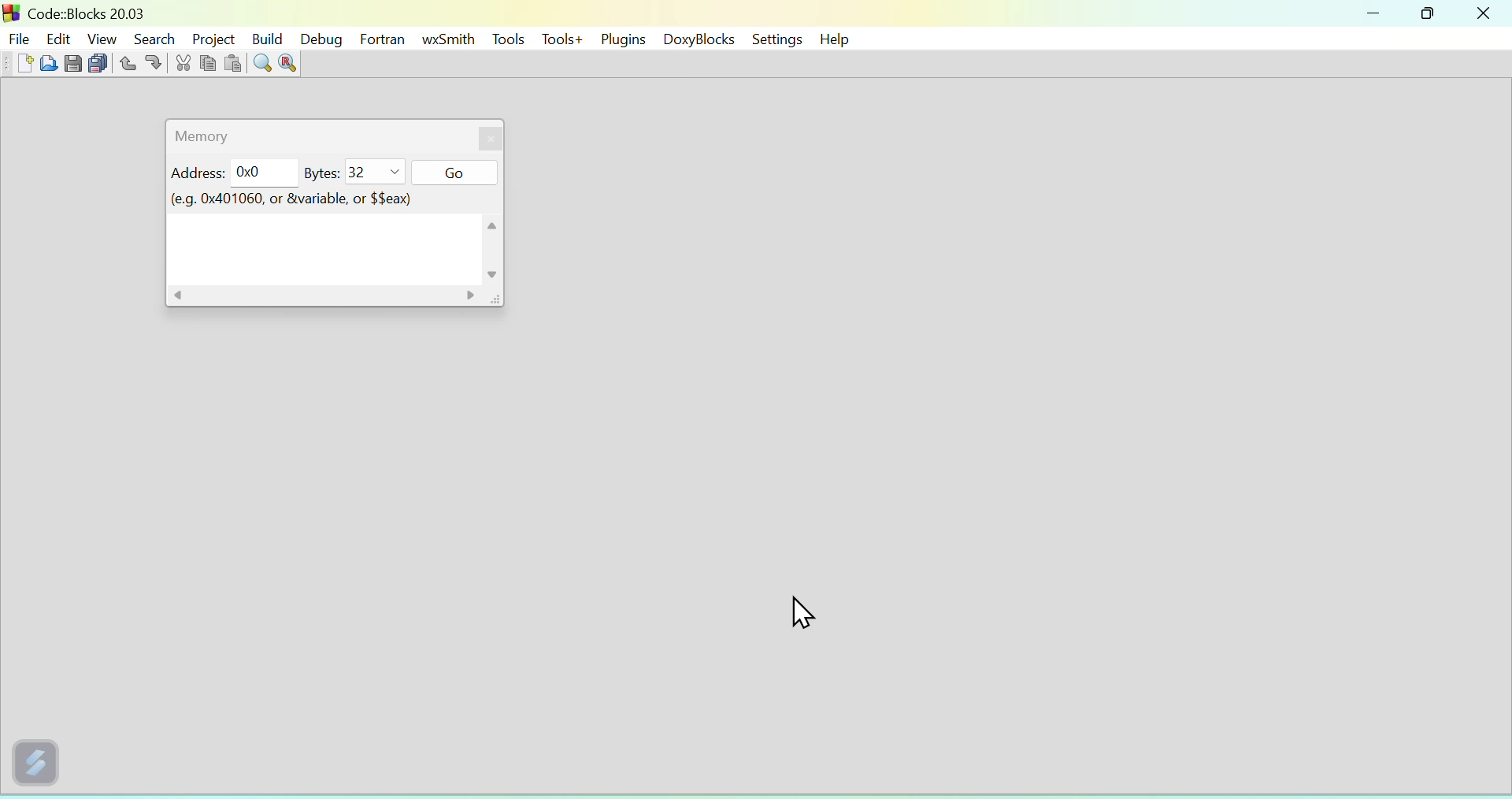 This screenshot has height=799, width=1512. Describe the element at coordinates (266, 36) in the screenshot. I see `Build` at that location.